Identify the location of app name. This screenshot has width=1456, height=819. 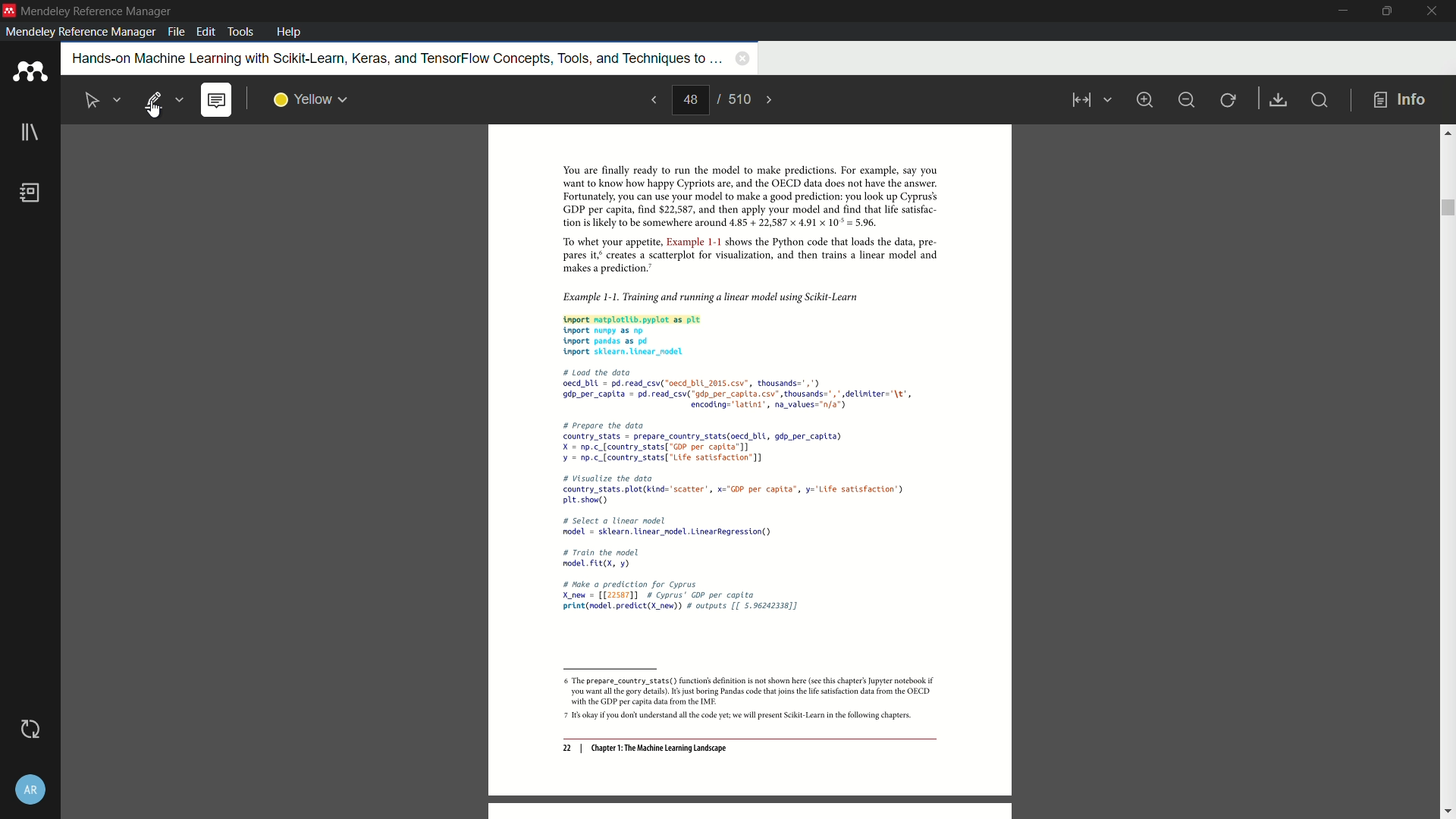
(99, 11).